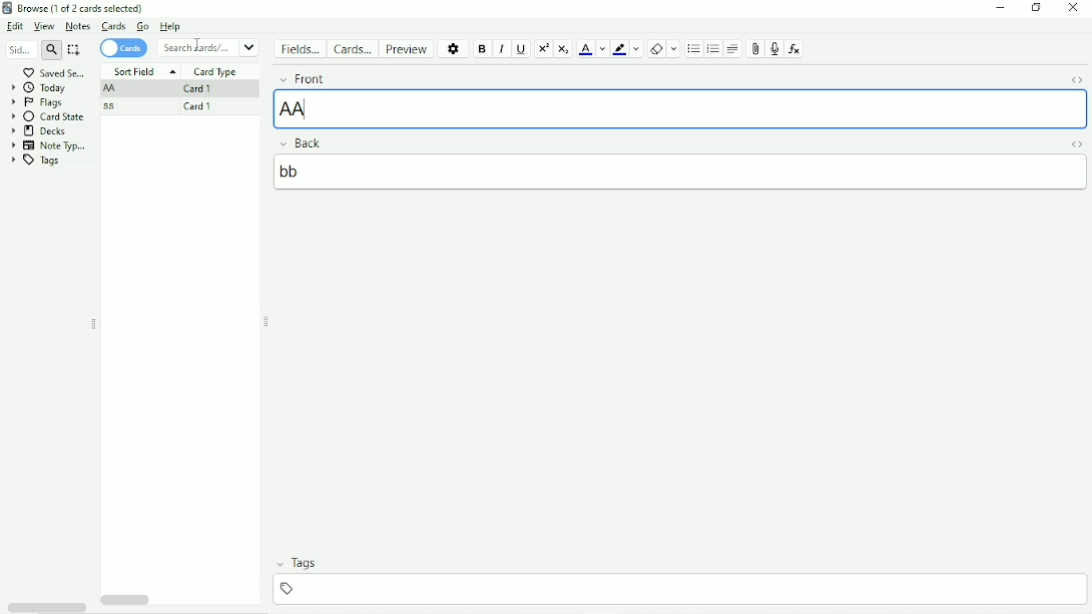 The height and width of the screenshot is (614, 1092). Describe the element at coordinates (45, 26) in the screenshot. I see `View` at that location.